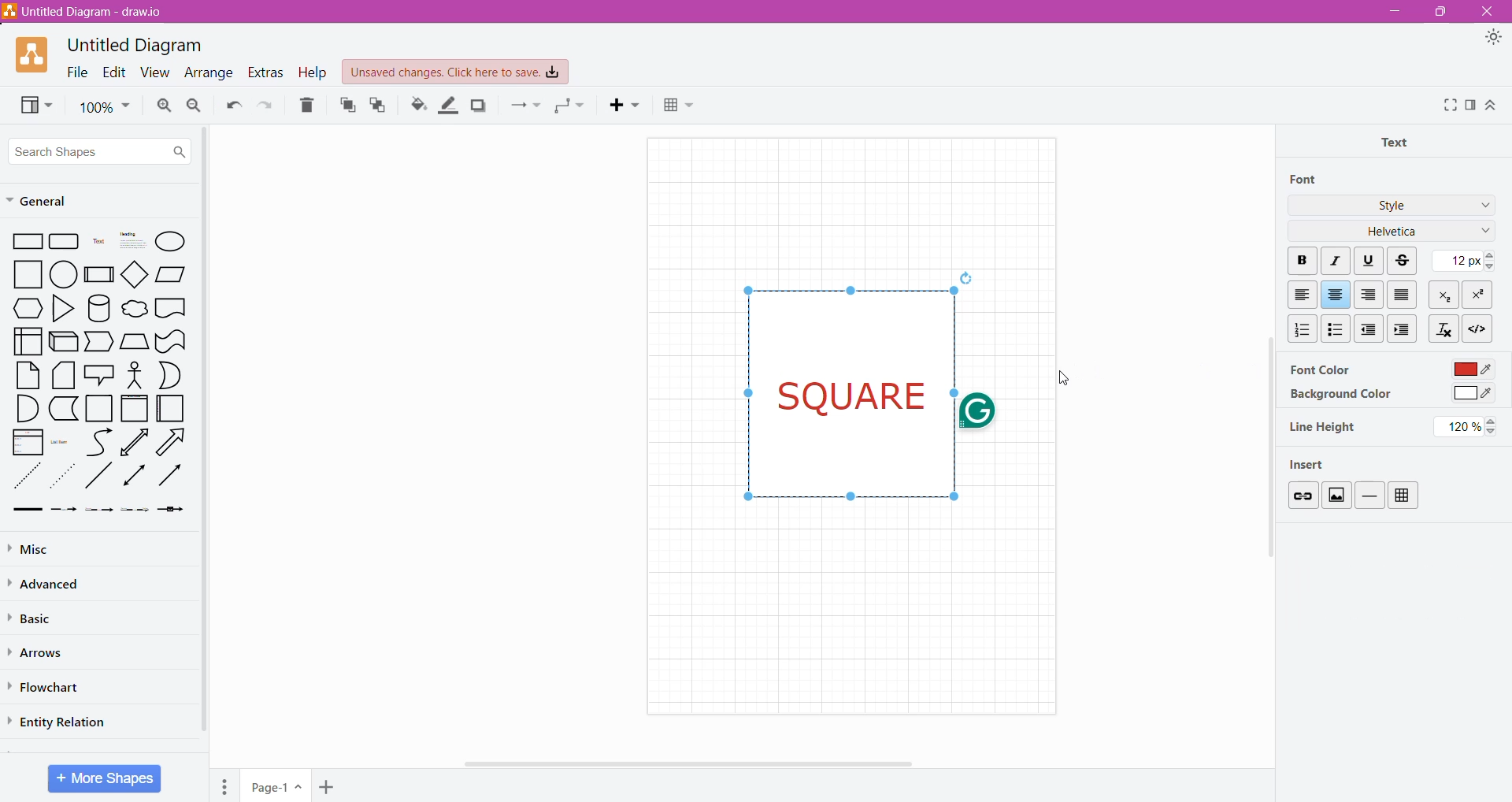  I want to click on Text, so click(855, 392).